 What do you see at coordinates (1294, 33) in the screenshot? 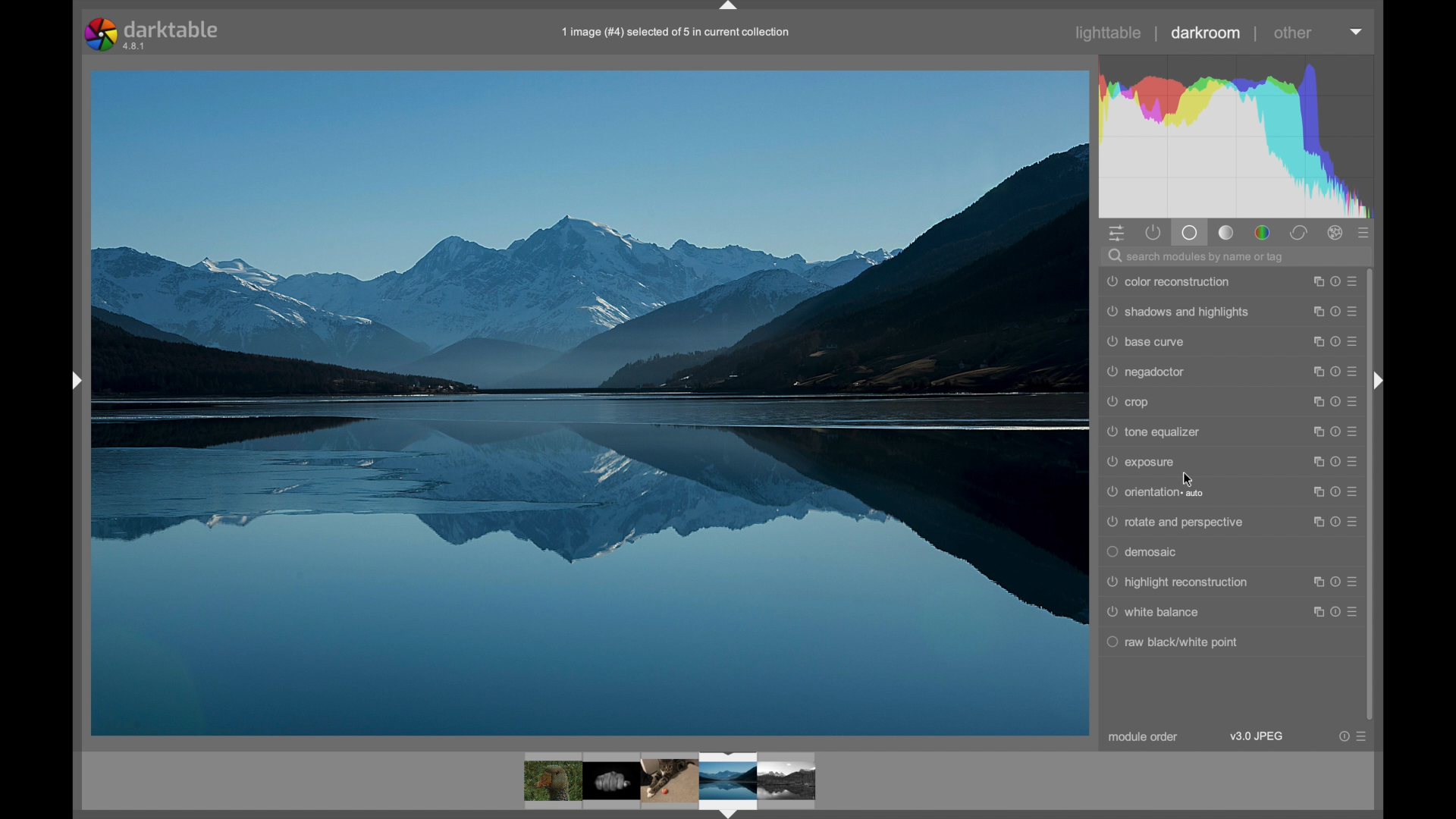
I see `other` at bounding box center [1294, 33].